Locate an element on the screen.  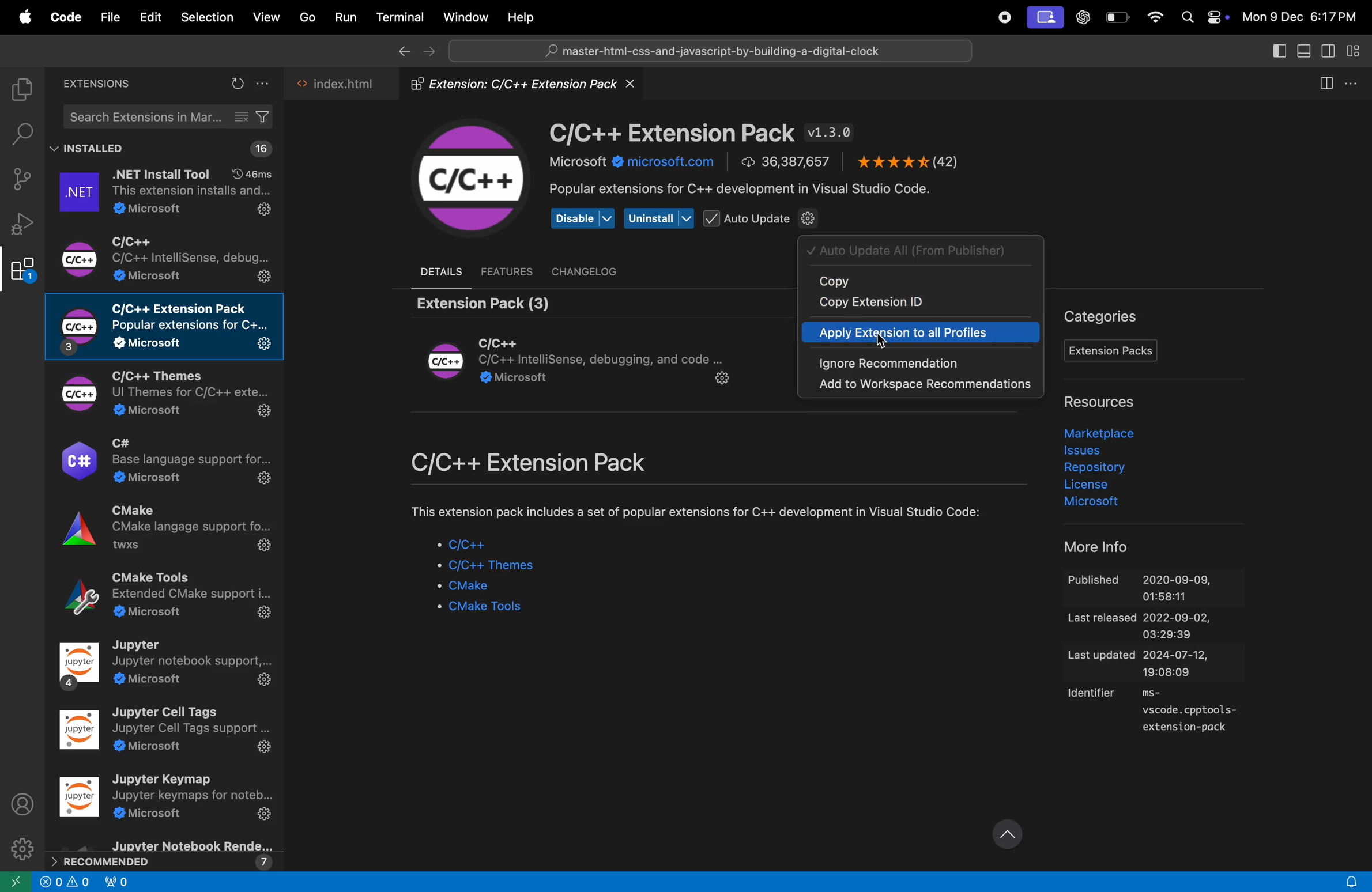
refresh is located at coordinates (237, 84).